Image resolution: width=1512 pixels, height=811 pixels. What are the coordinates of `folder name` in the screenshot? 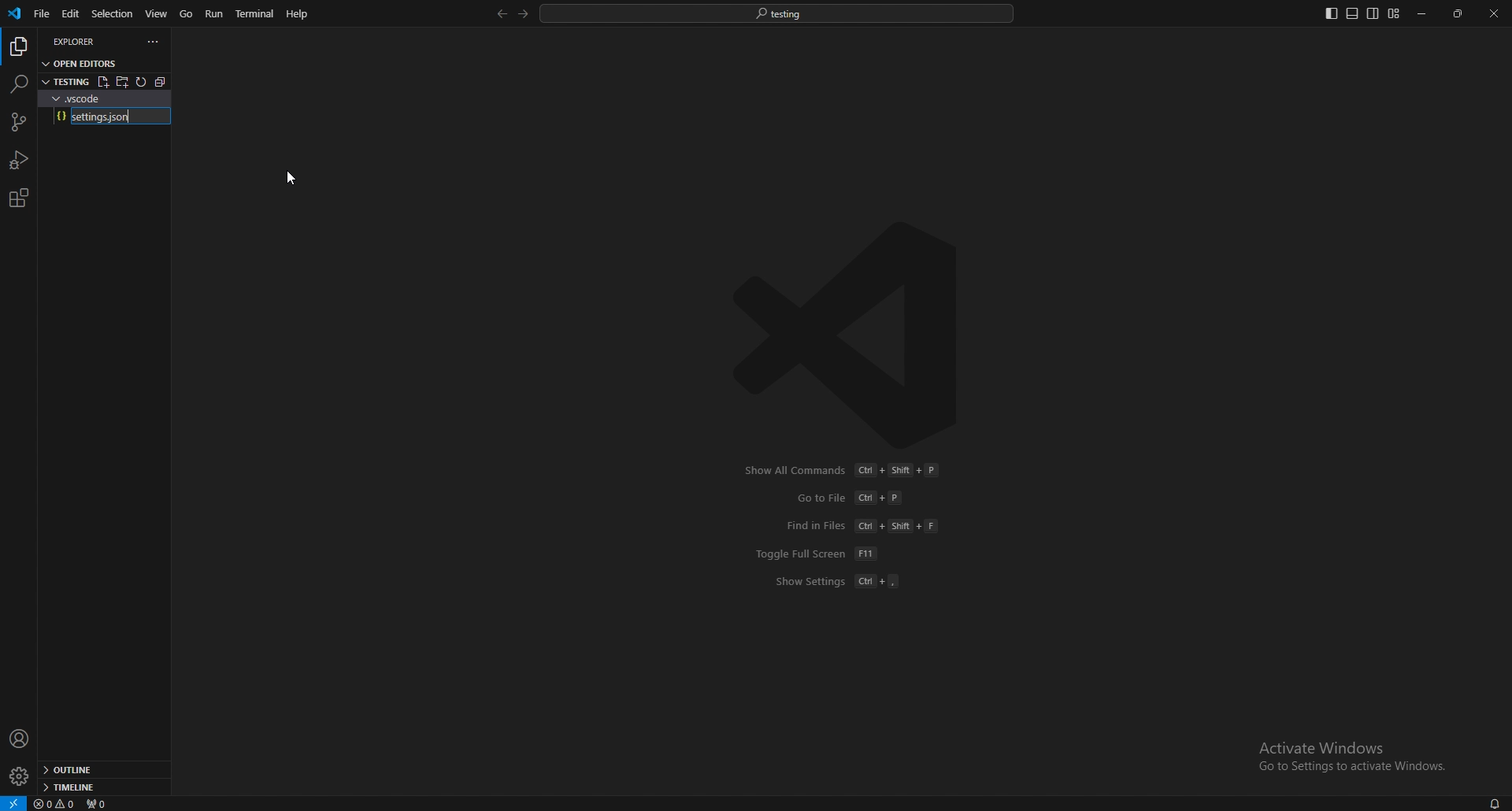 It's located at (65, 80).